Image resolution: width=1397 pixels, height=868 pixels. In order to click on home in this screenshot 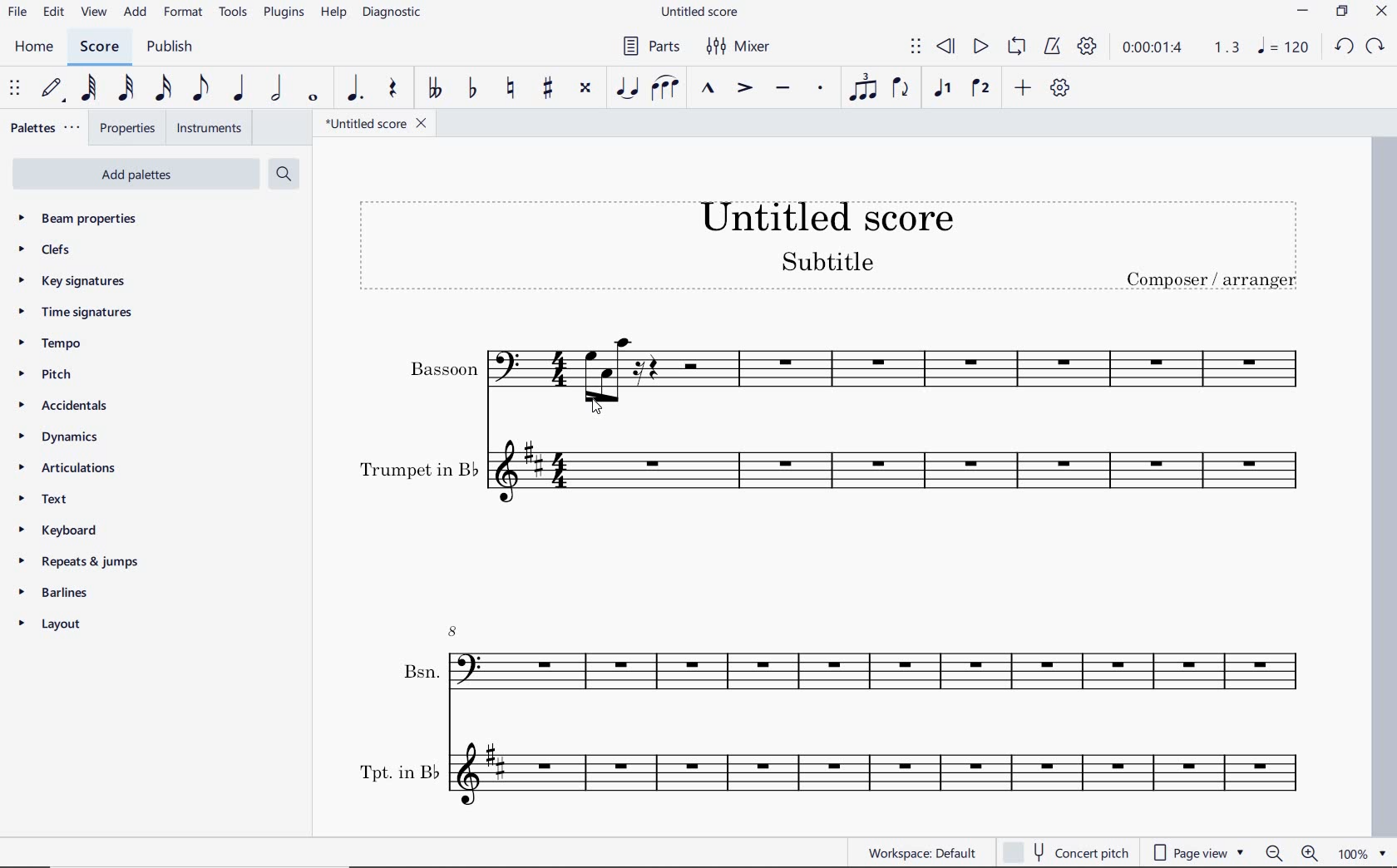, I will do `click(31, 47)`.